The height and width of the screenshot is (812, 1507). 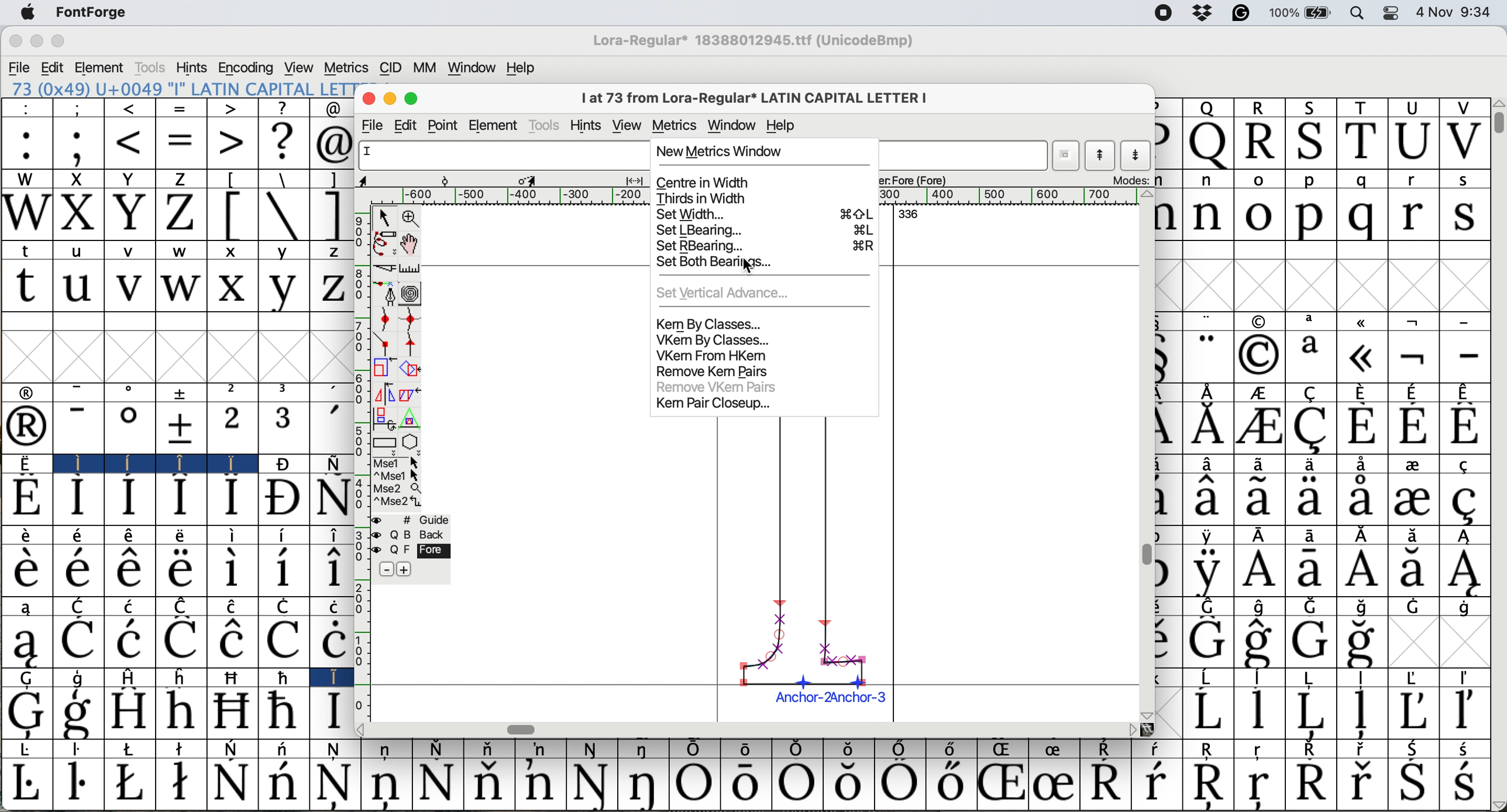 I want to click on Symbol, so click(x=80, y=750).